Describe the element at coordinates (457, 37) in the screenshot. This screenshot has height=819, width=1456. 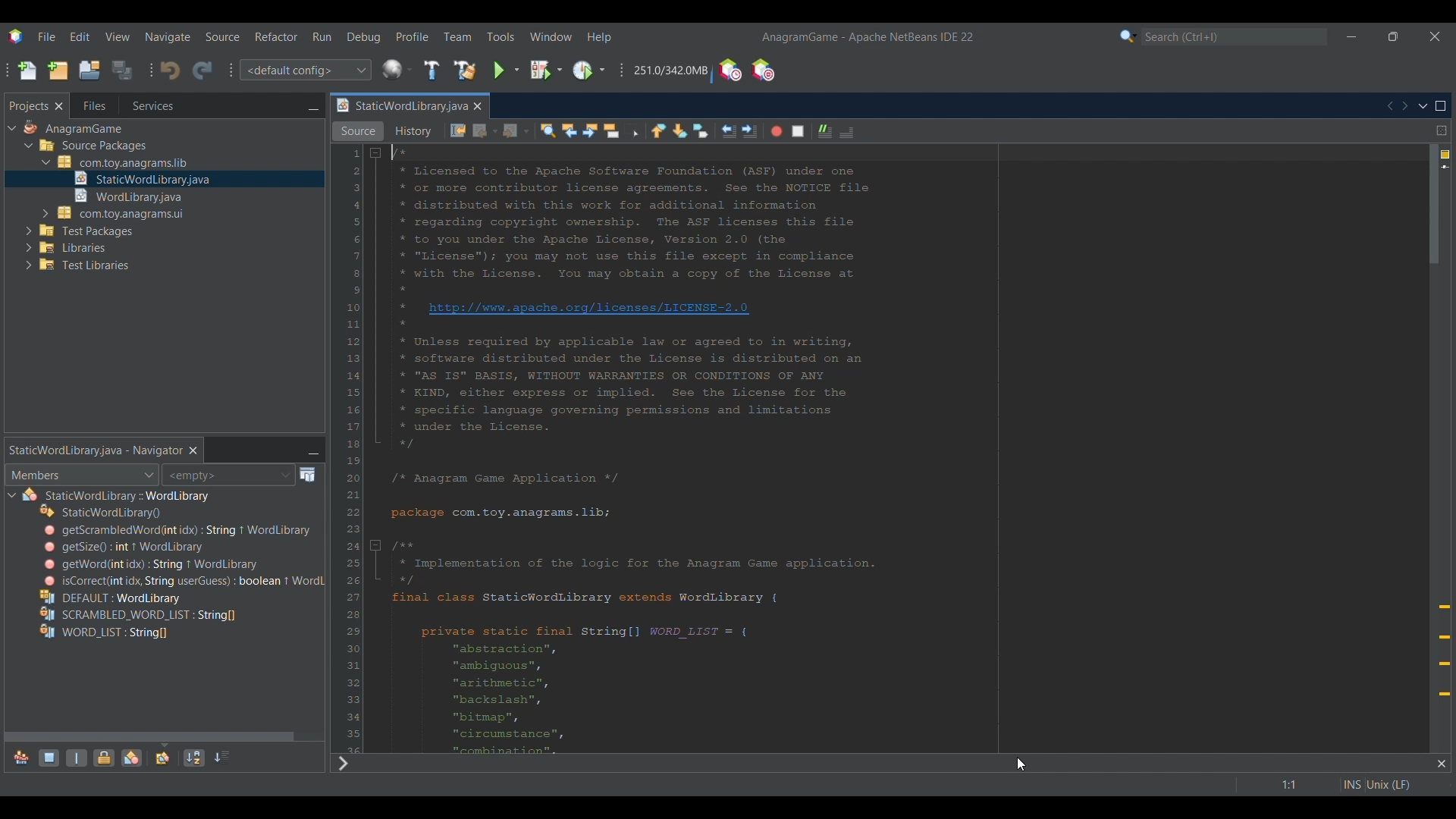
I see `Team menu` at that location.